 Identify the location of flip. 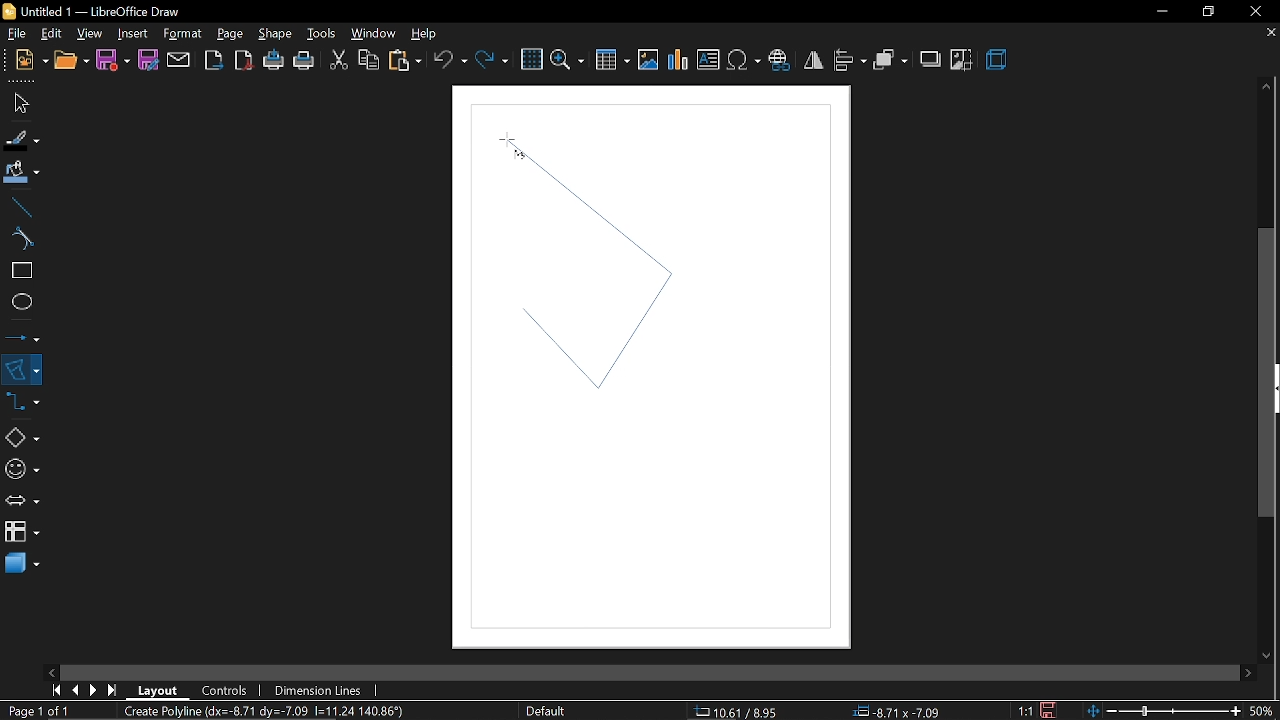
(814, 61).